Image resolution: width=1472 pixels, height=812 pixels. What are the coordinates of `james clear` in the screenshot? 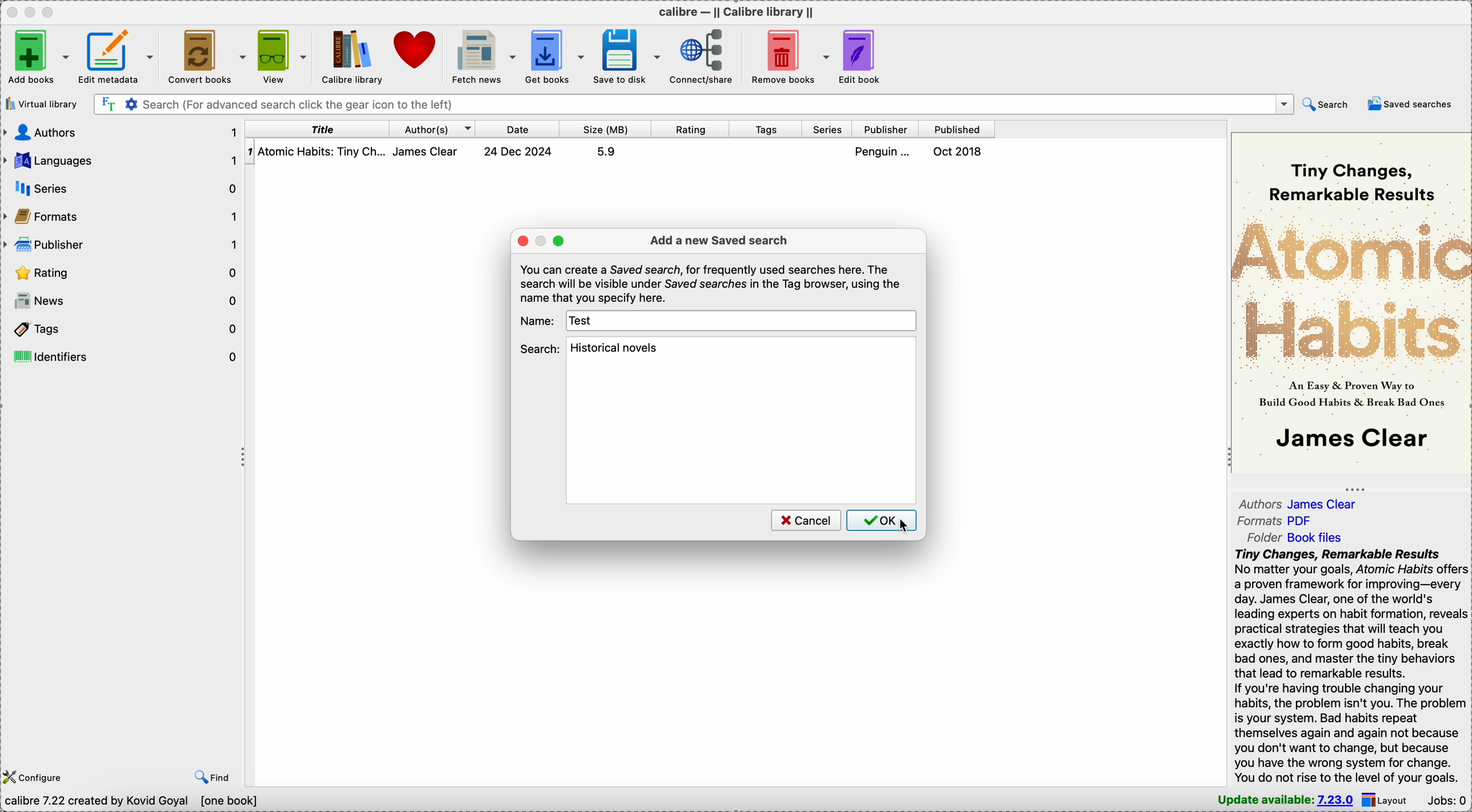 It's located at (432, 151).